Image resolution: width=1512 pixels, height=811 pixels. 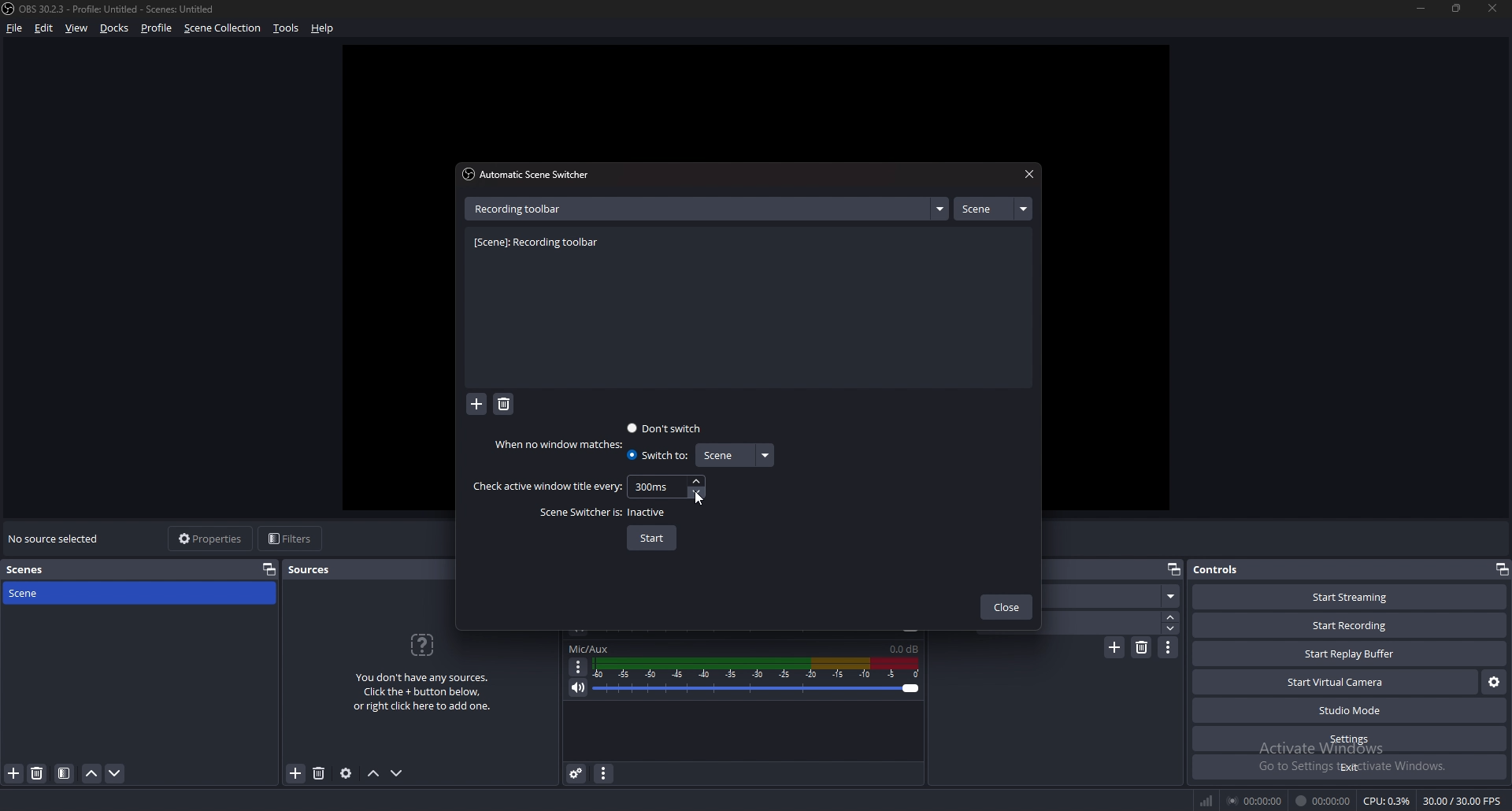 I want to click on name input, so click(x=522, y=208).